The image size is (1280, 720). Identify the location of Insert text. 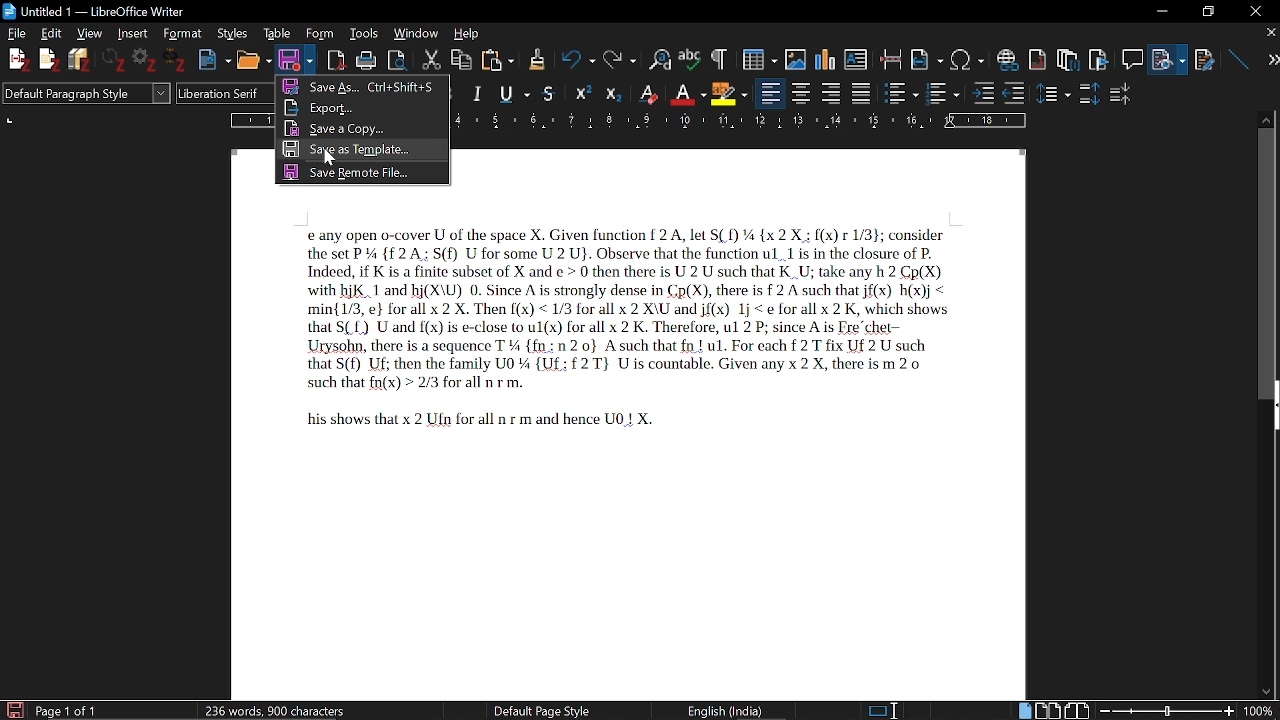
(858, 55).